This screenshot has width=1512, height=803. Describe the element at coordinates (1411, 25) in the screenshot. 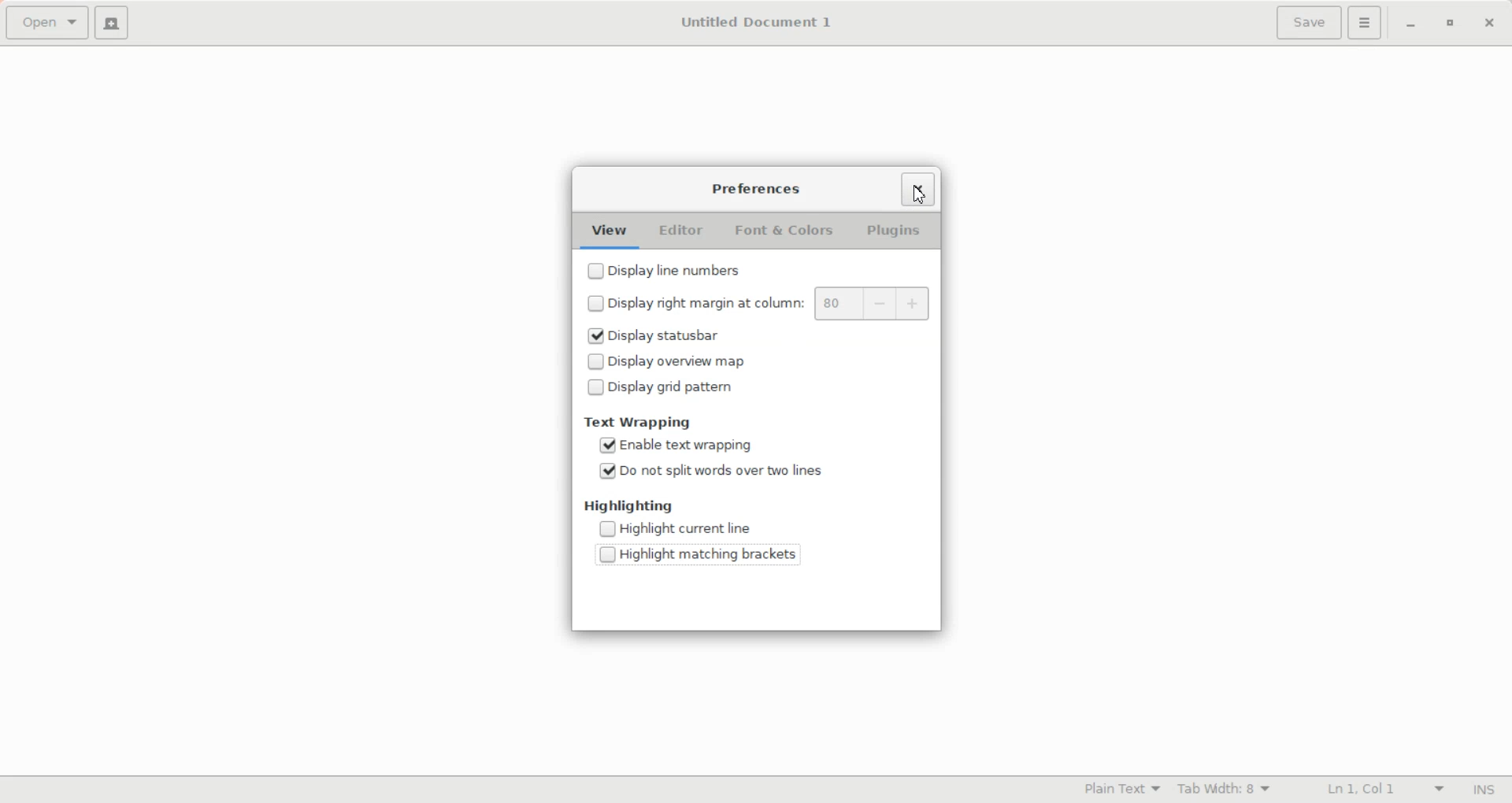

I see `Minimize` at that location.